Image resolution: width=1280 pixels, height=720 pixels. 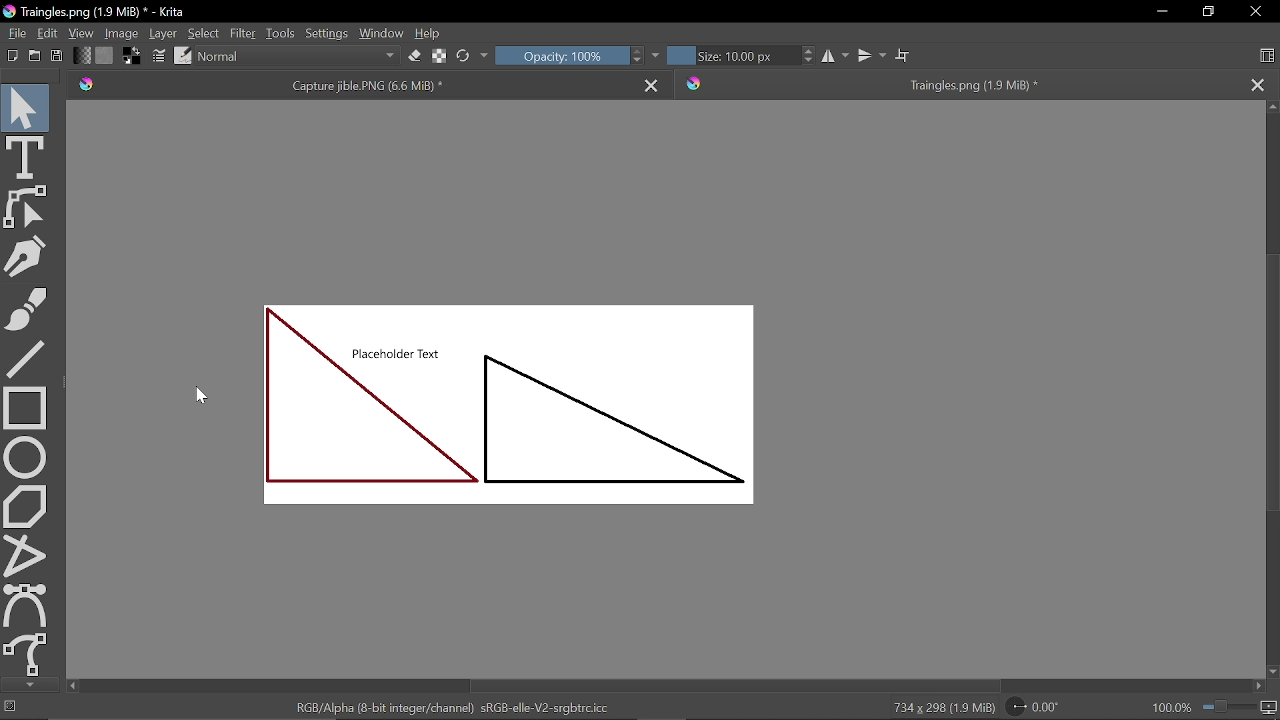 What do you see at coordinates (1211, 13) in the screenshot?
I see `Restore down` at bounding box center [1211, 13].